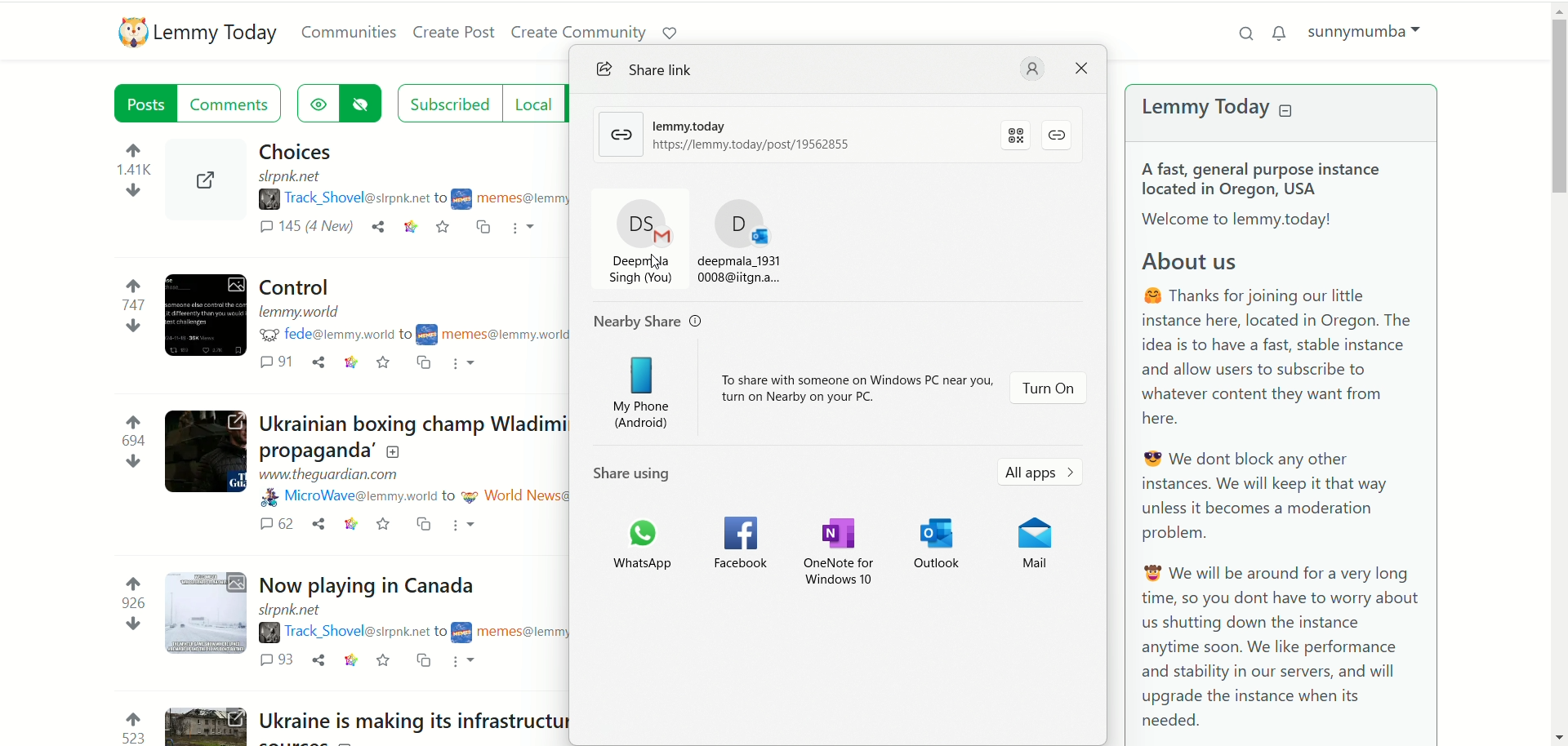 This screenshot has width=1568, height=746. I want to click on outlook, so click(940, 544).